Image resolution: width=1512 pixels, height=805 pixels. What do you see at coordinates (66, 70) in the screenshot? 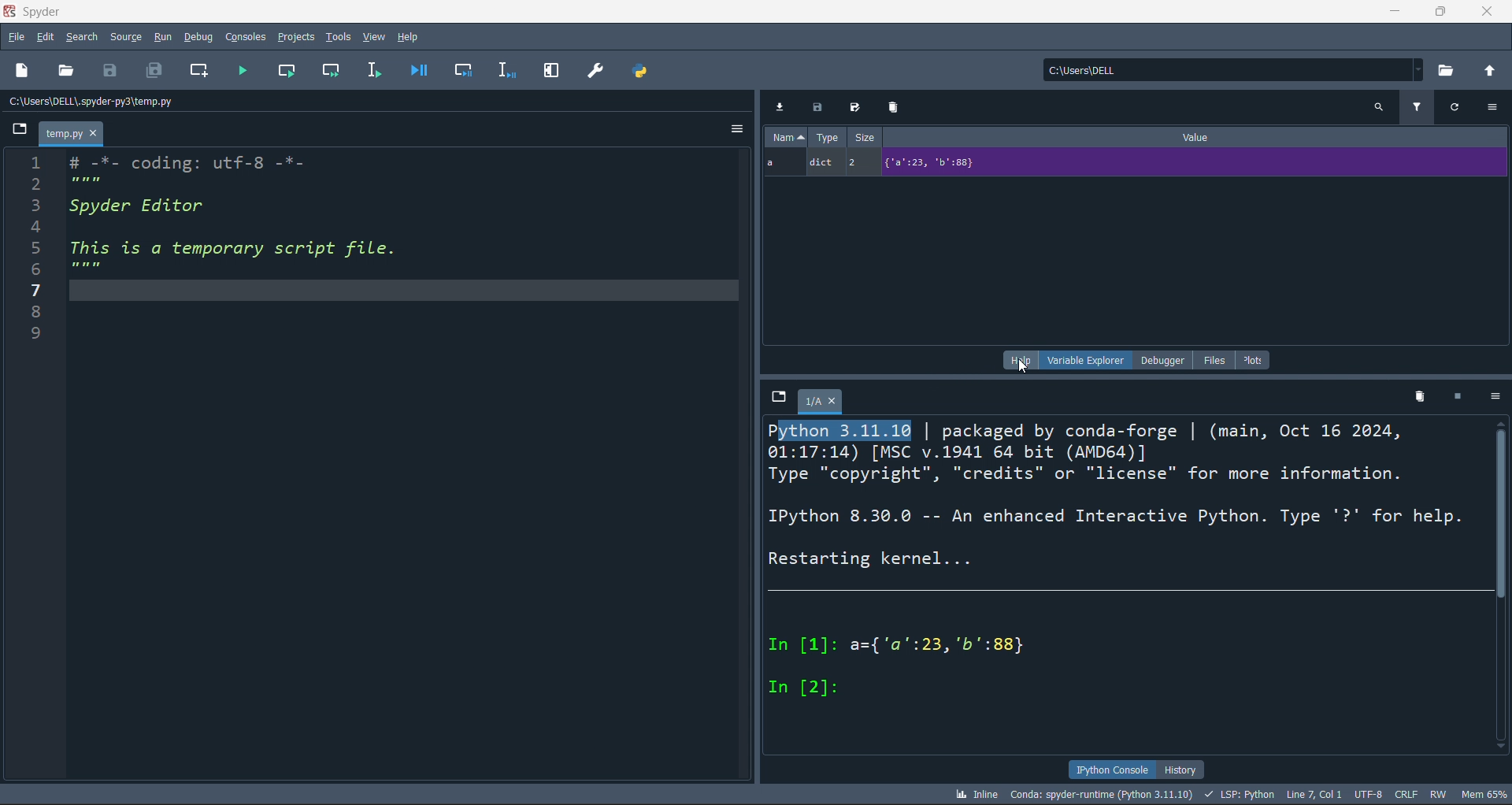
I see `open file` at bounding box center [66, 70].